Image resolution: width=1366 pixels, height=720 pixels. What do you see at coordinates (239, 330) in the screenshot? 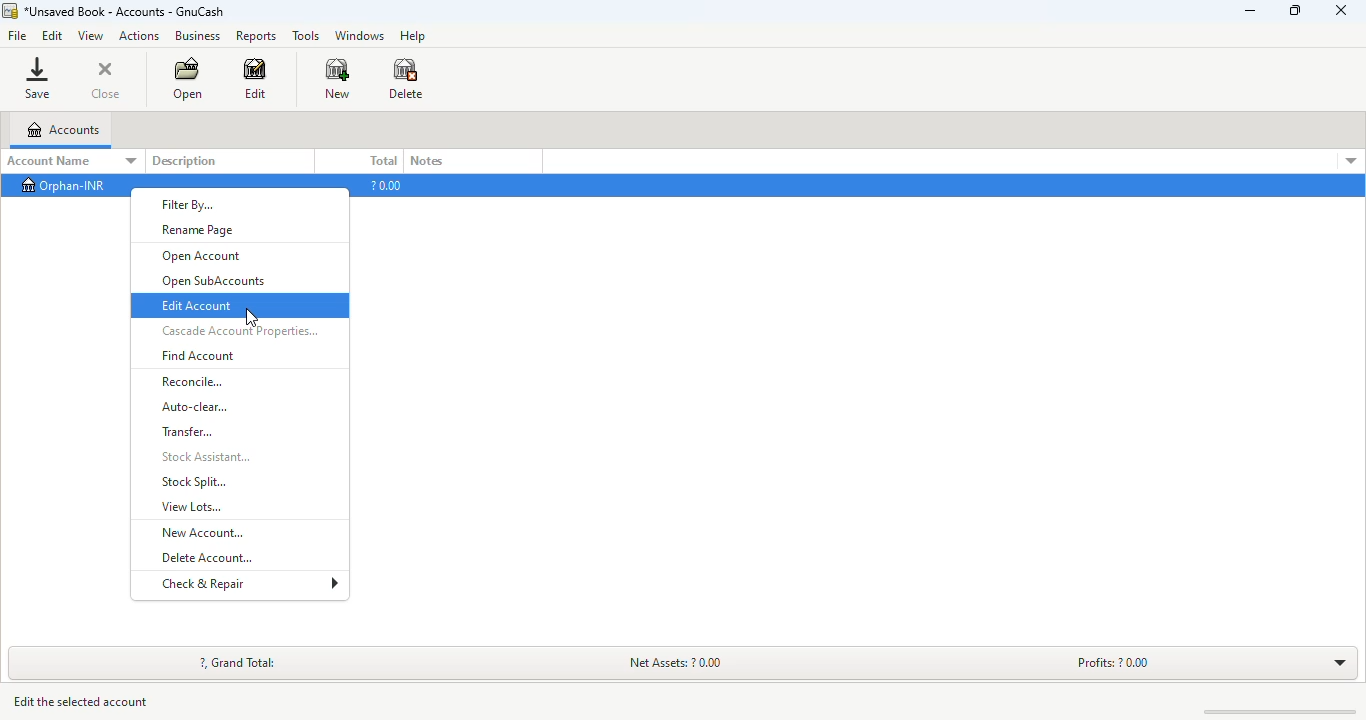
I see `cascade account properties` at bounding box center [239, 330].